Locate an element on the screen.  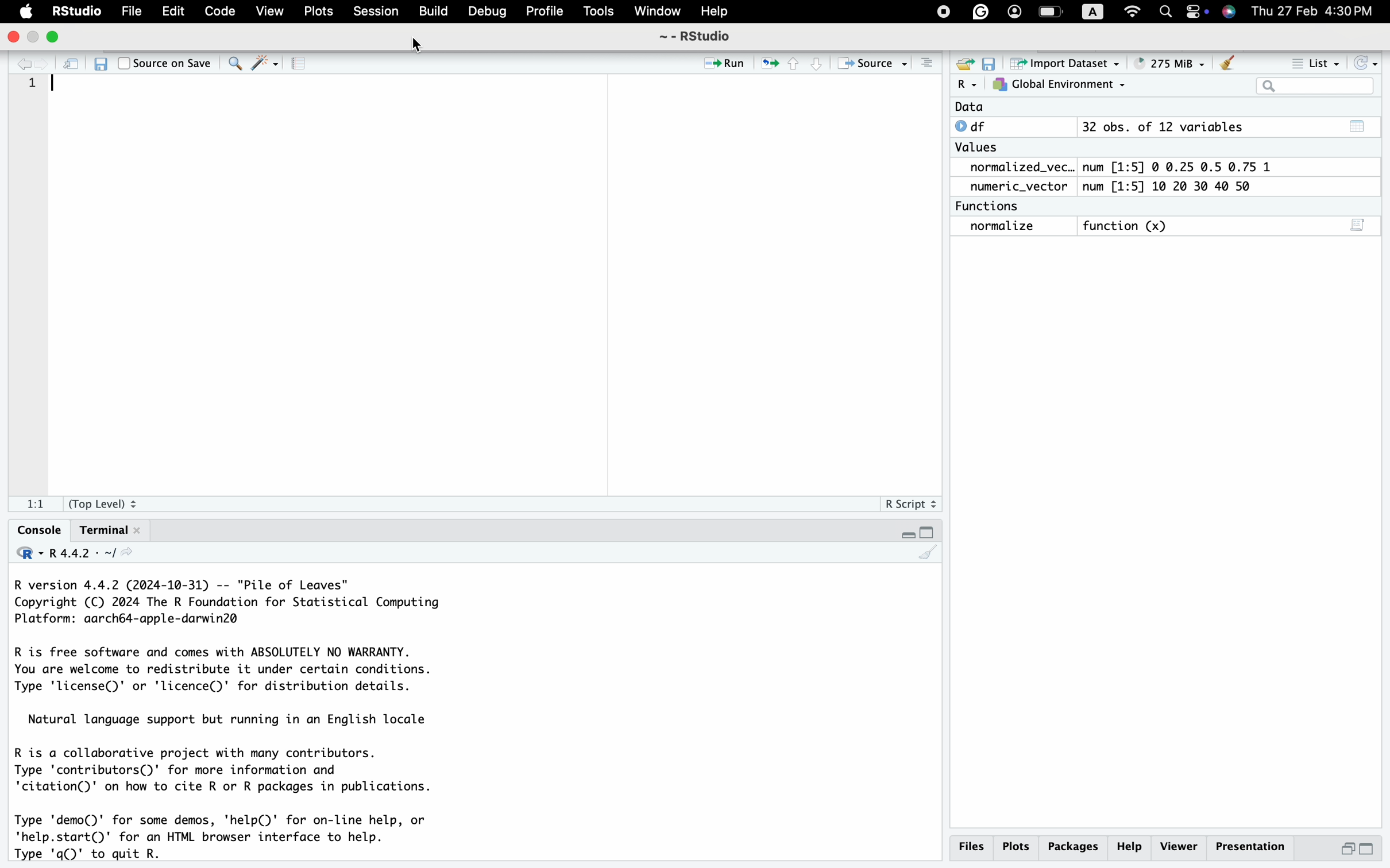
packages is located at coordinates (1073, 848).